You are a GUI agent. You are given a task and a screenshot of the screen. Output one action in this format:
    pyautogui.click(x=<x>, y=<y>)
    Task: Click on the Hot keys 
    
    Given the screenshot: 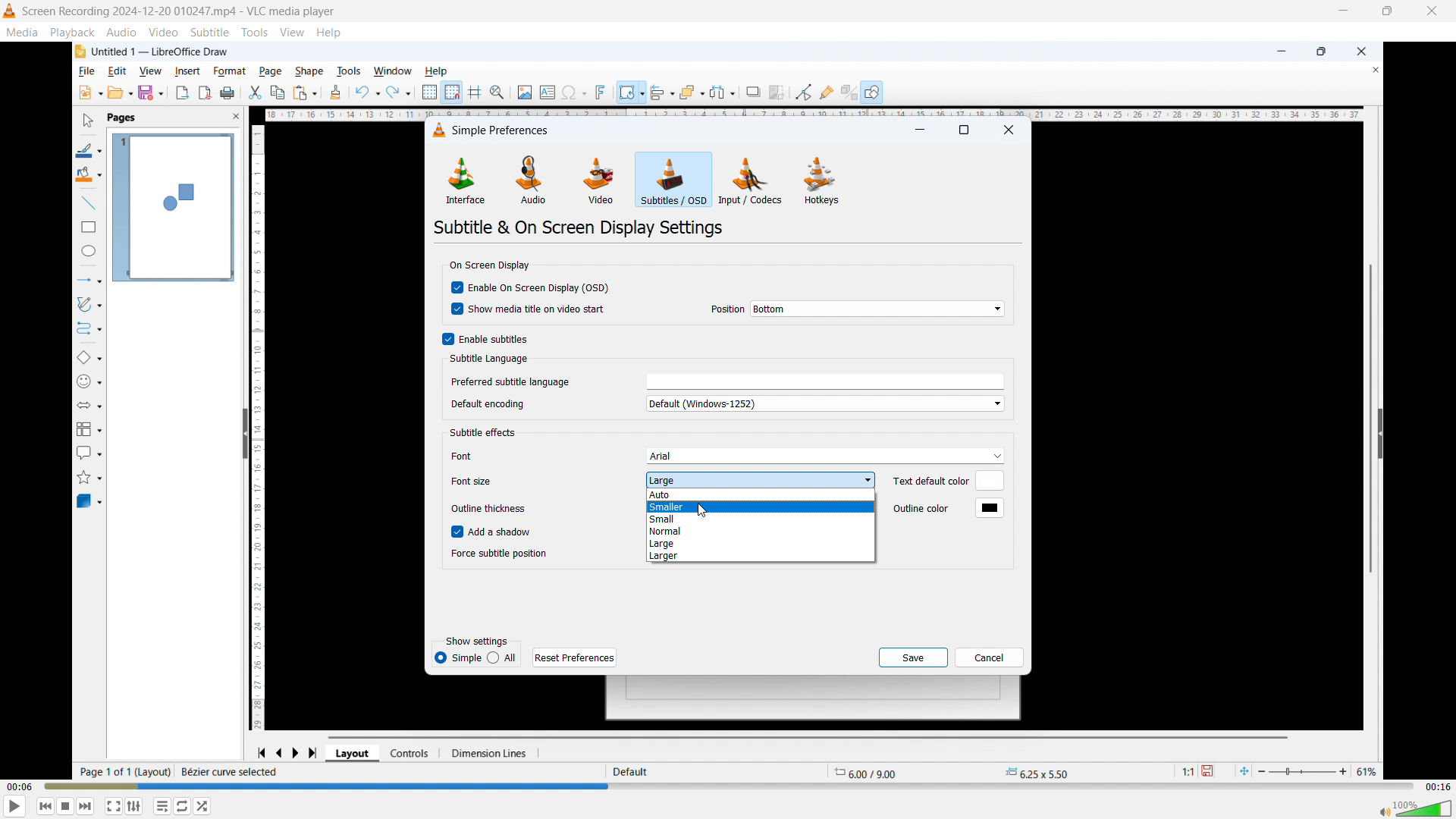 What is the action you would take?
    pyautogui.click(x=821, y=180)
    